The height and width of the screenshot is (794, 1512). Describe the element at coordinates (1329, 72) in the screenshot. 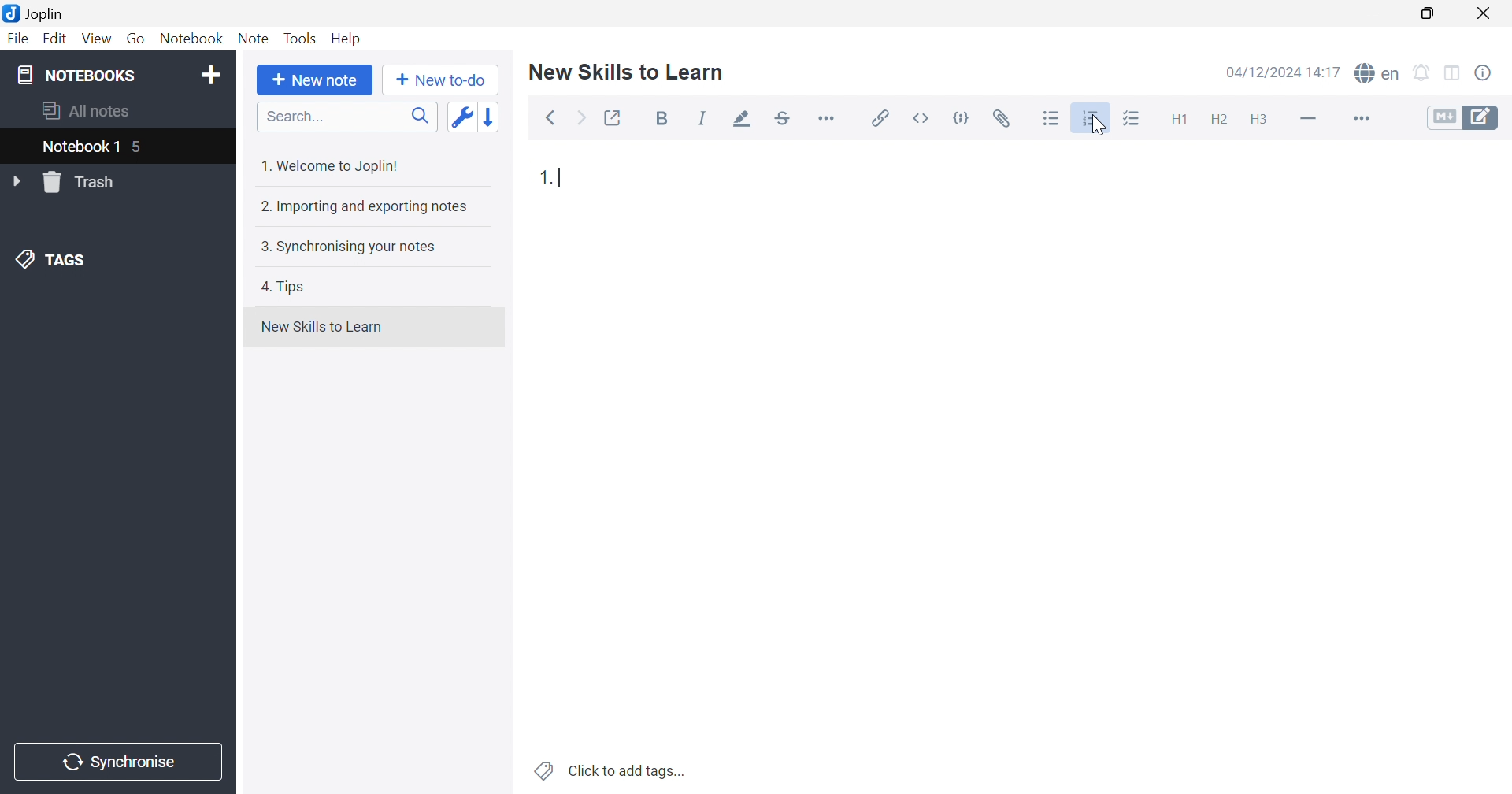

I see `14:15` at that location.